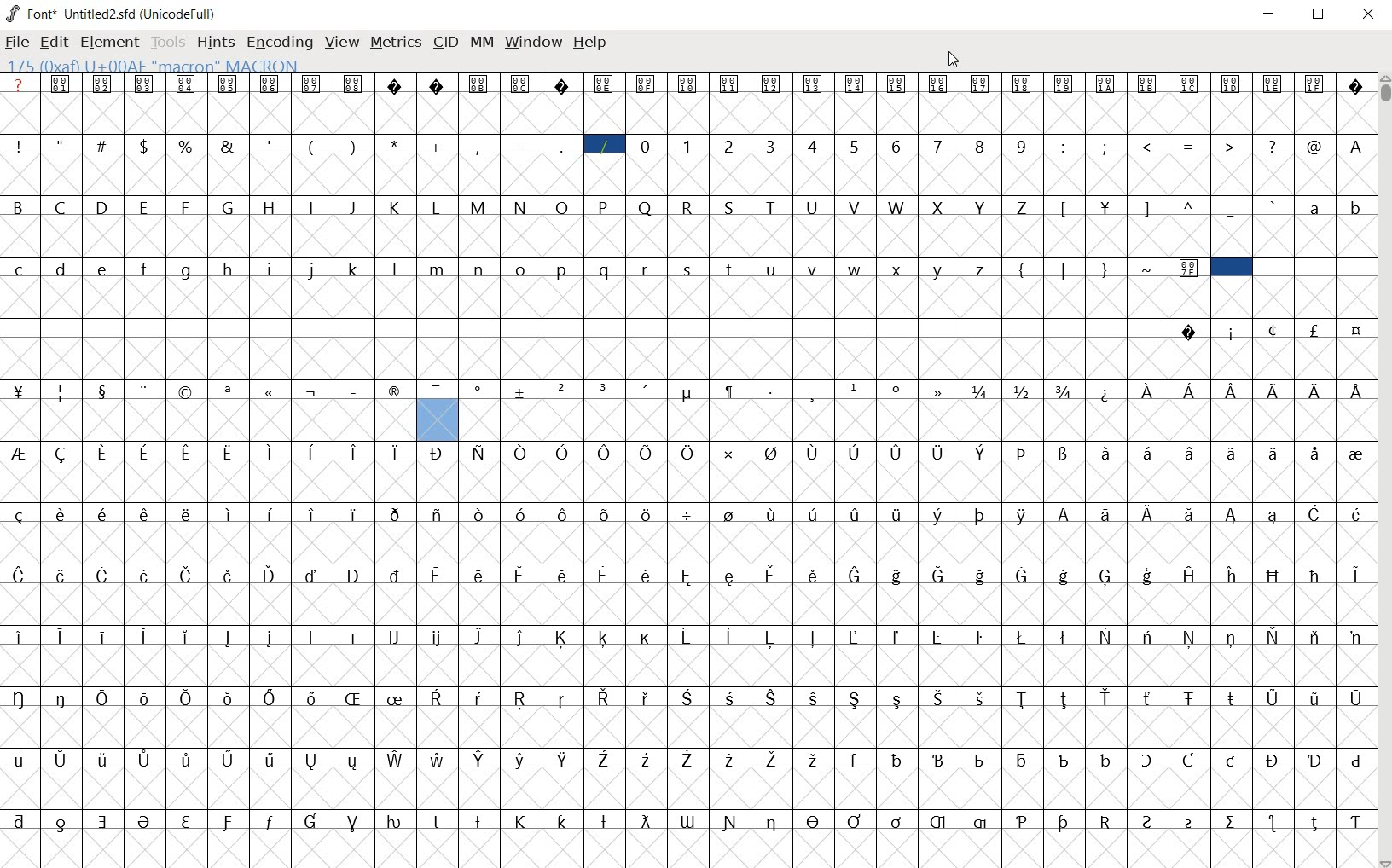 The height and width of the screenshot is (868, 1392). What do you see at coordinates (149, 636) in the screenshot?
I see `Symbol` at bounding box center [149, 636].